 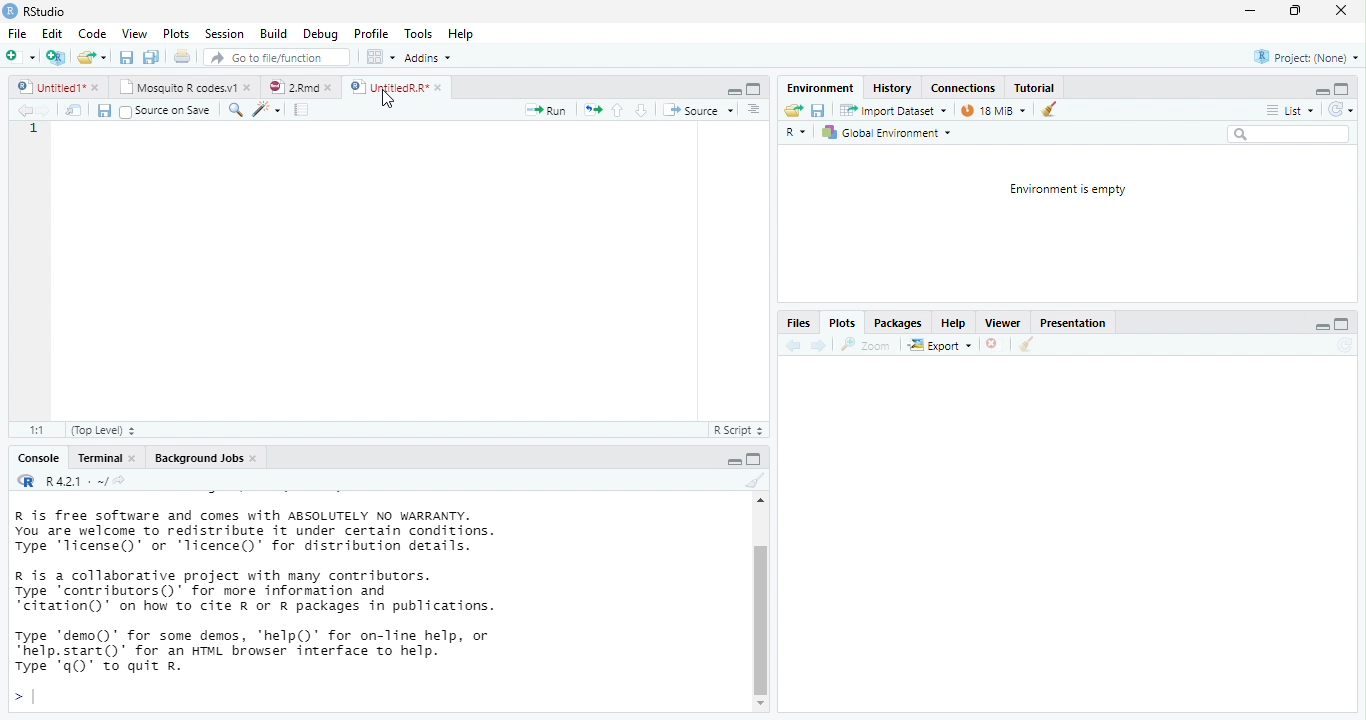 I want to click on re-run the previous code, so click(x=593, y=110).